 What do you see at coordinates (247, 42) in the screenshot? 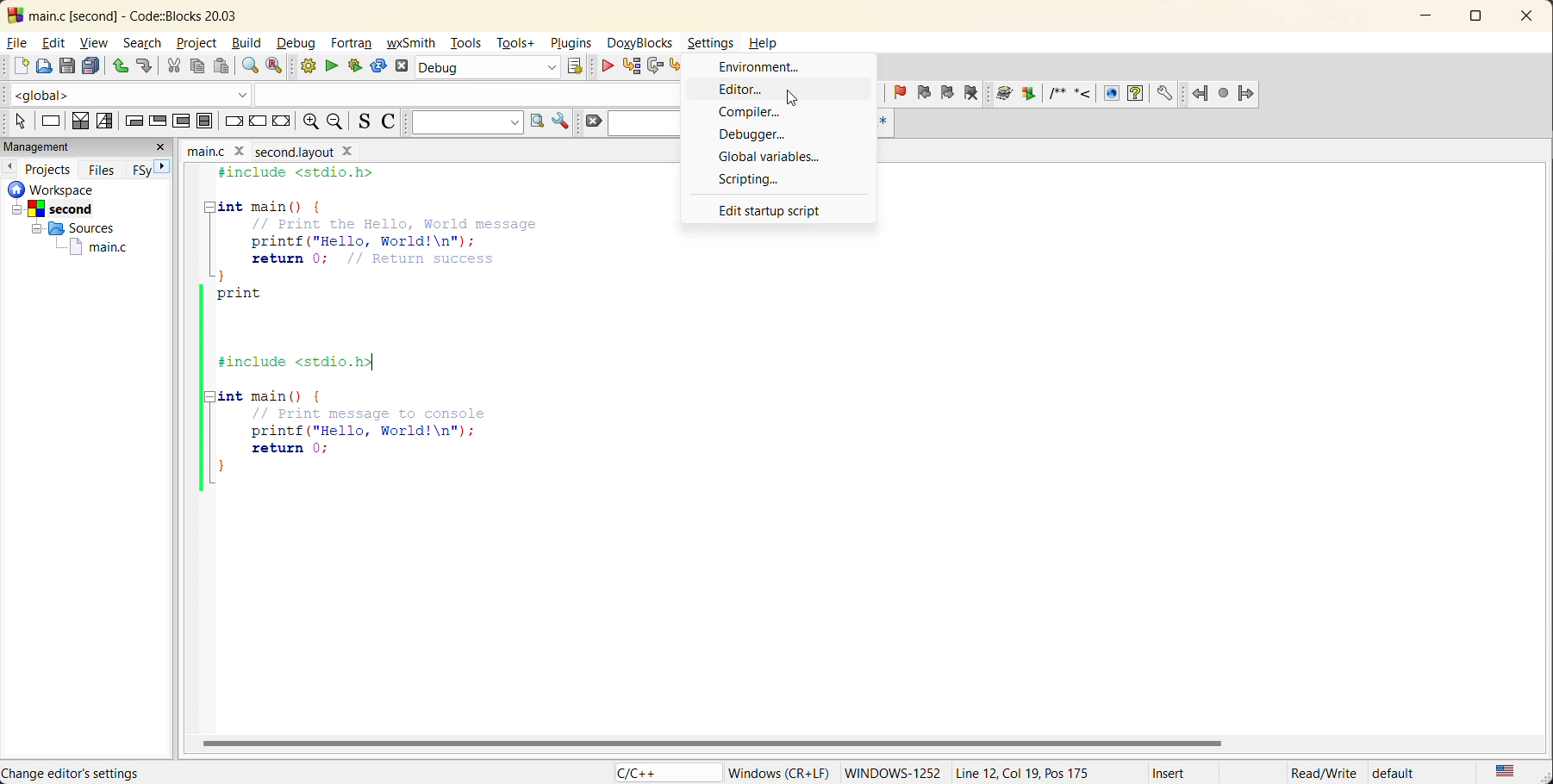
I see `build` at bounding box center [247, 42].